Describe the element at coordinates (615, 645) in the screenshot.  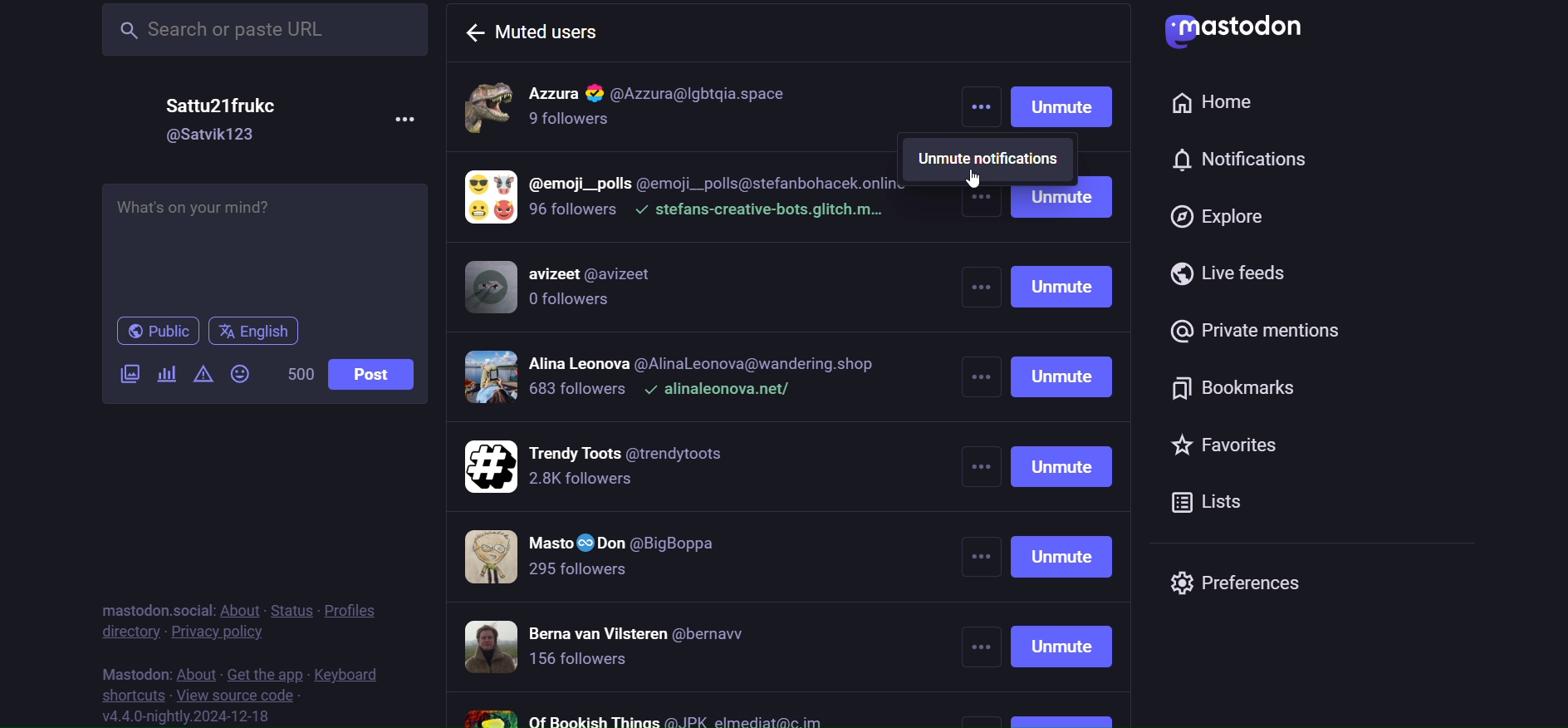
I see `muted accounts 7` at that location.